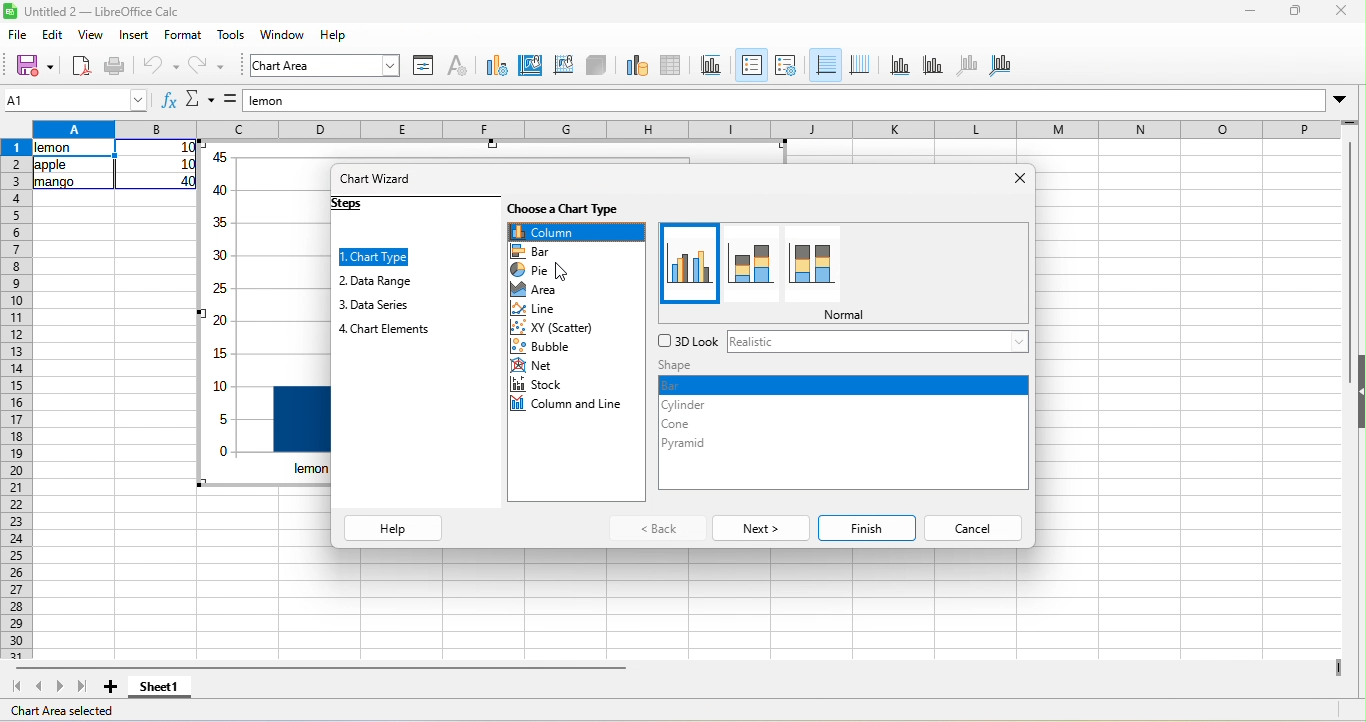 Image resolution: width=1366 pixels, height=722 pixels. Describe the element at coordinates (899, 67) in the screenshot. I see `x axis` at that location.